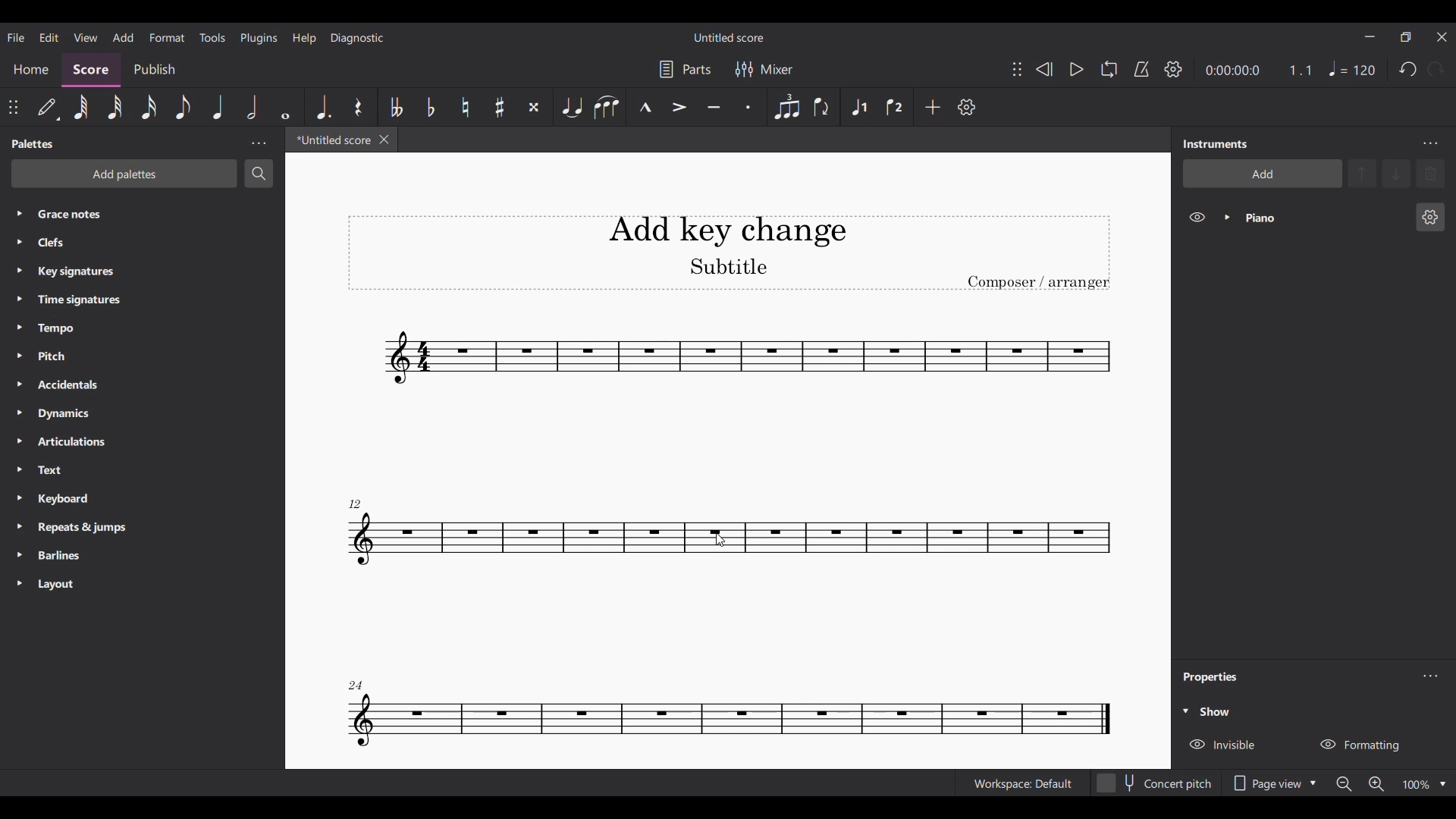  I want to click on Score name, so click(730, 36).